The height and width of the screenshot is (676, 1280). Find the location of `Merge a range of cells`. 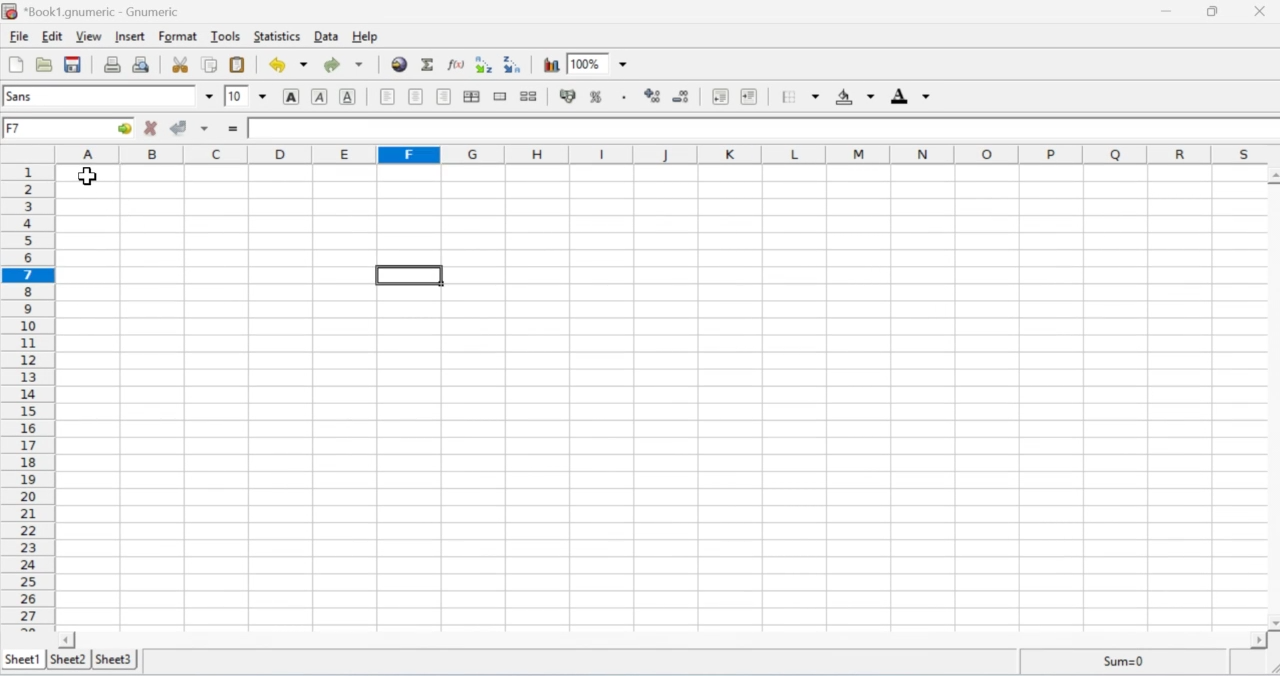

Merge a range of cells is located at coordinates (502, 97).